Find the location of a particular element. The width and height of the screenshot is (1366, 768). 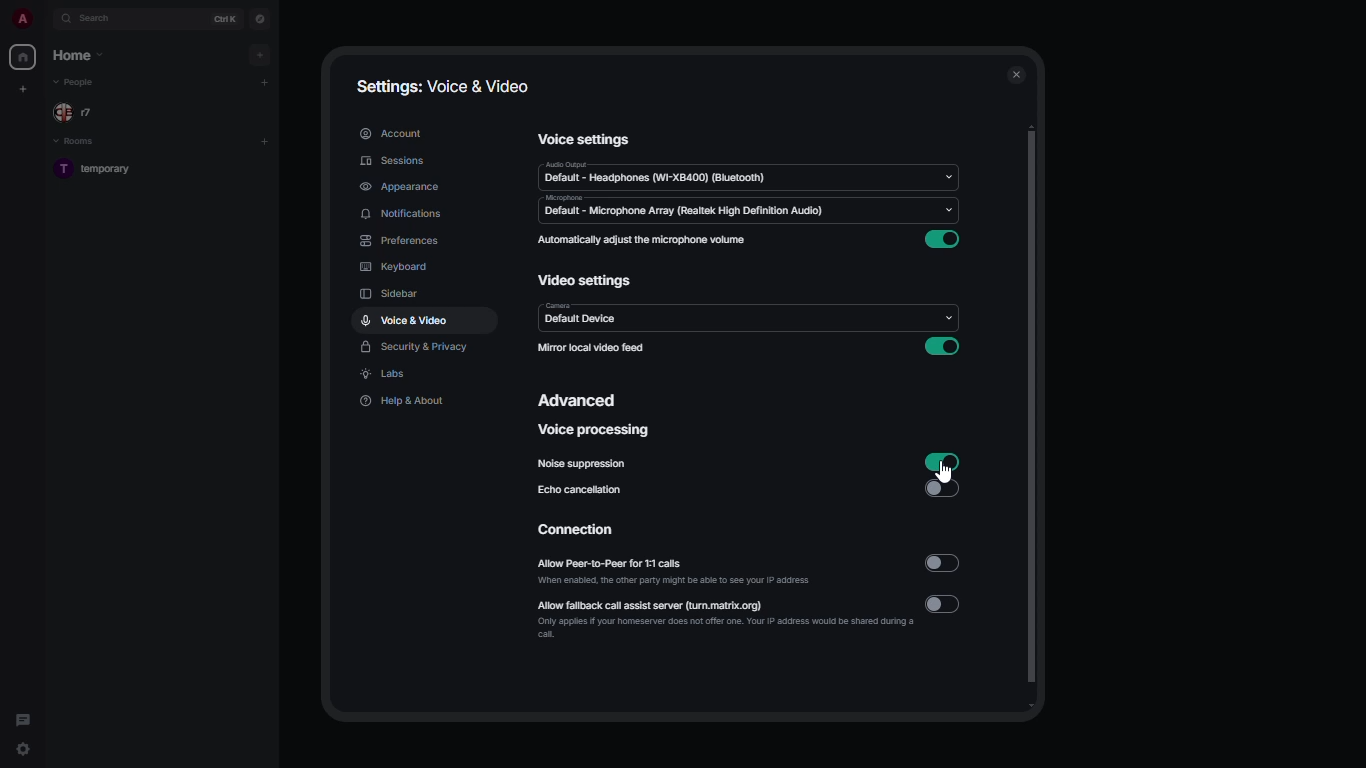

home is located at coordinates (76, 55).